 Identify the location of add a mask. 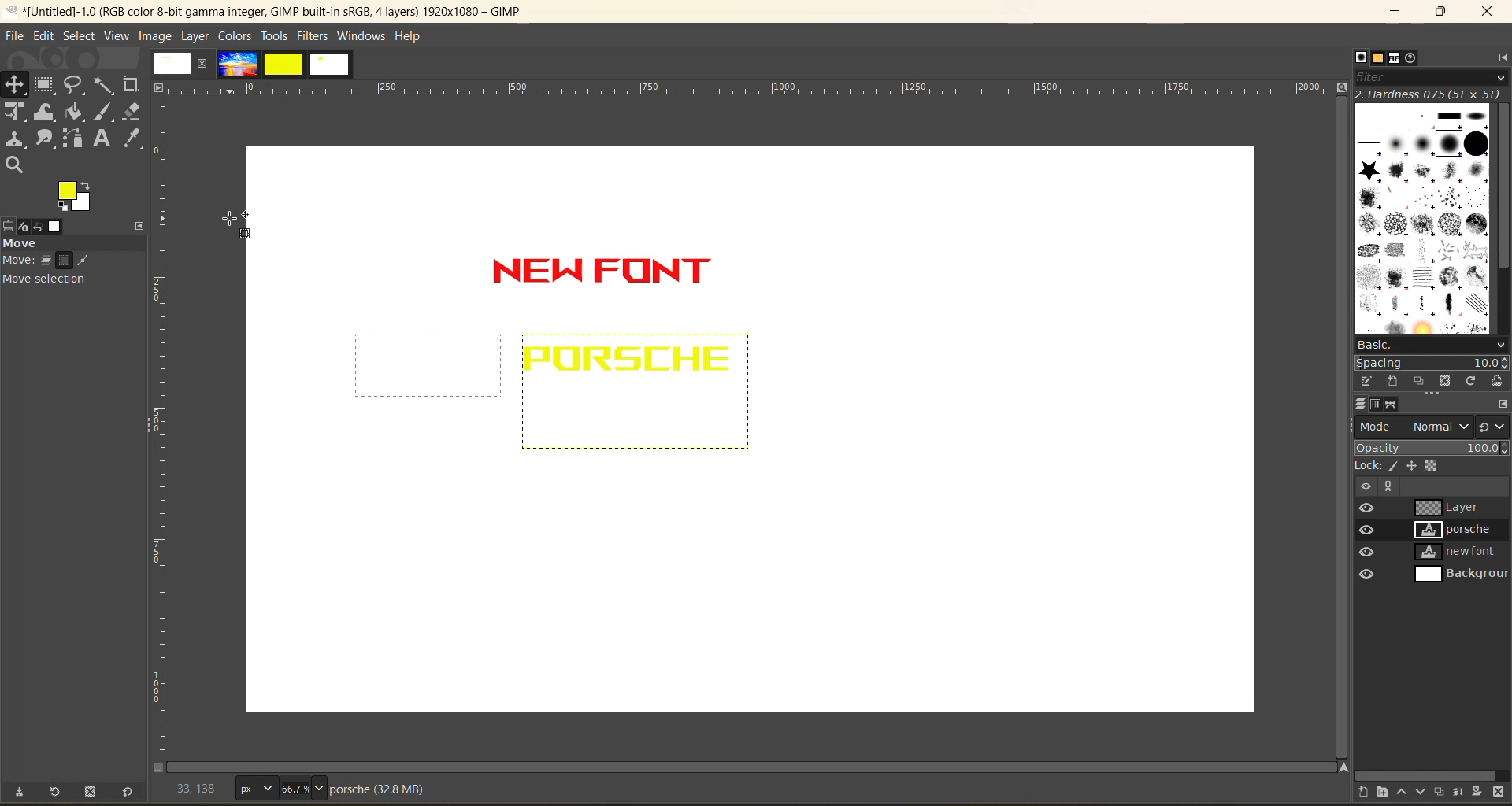
(1482, 790).